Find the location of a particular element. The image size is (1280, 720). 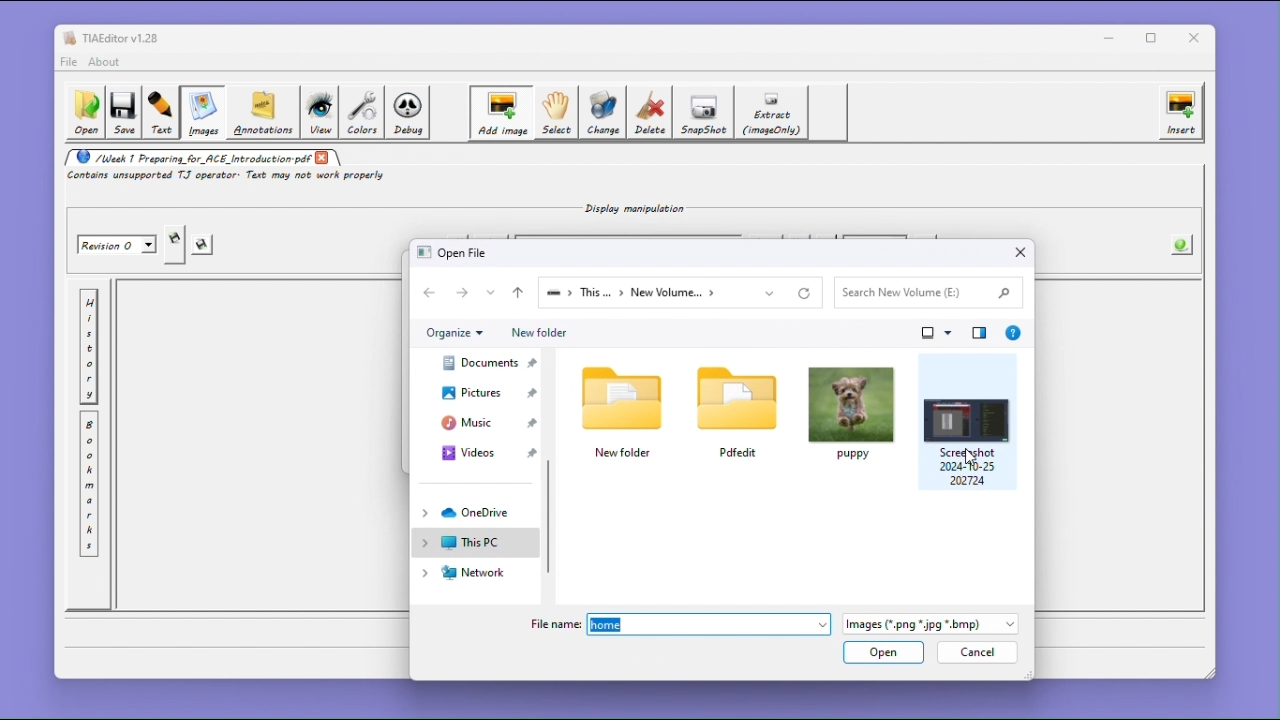

open is located at coordinates (884, 654).